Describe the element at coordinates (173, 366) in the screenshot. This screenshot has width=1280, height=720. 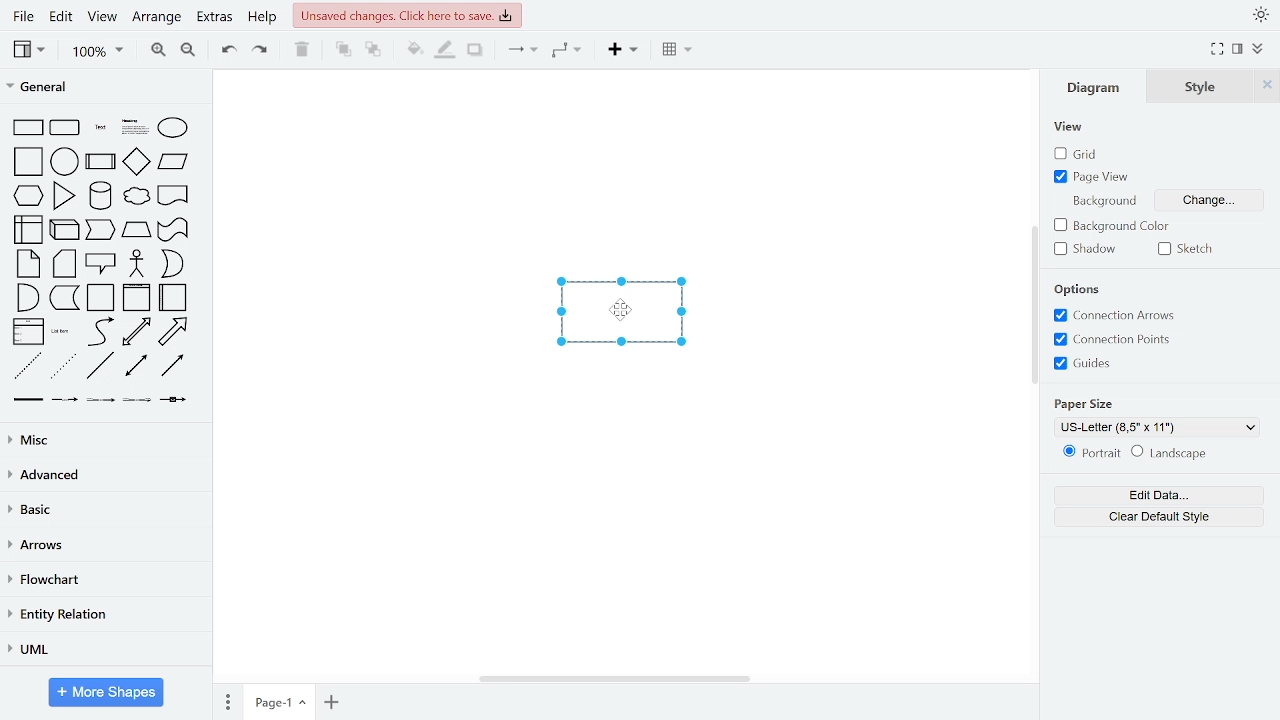
I see `general shapes` at that location.